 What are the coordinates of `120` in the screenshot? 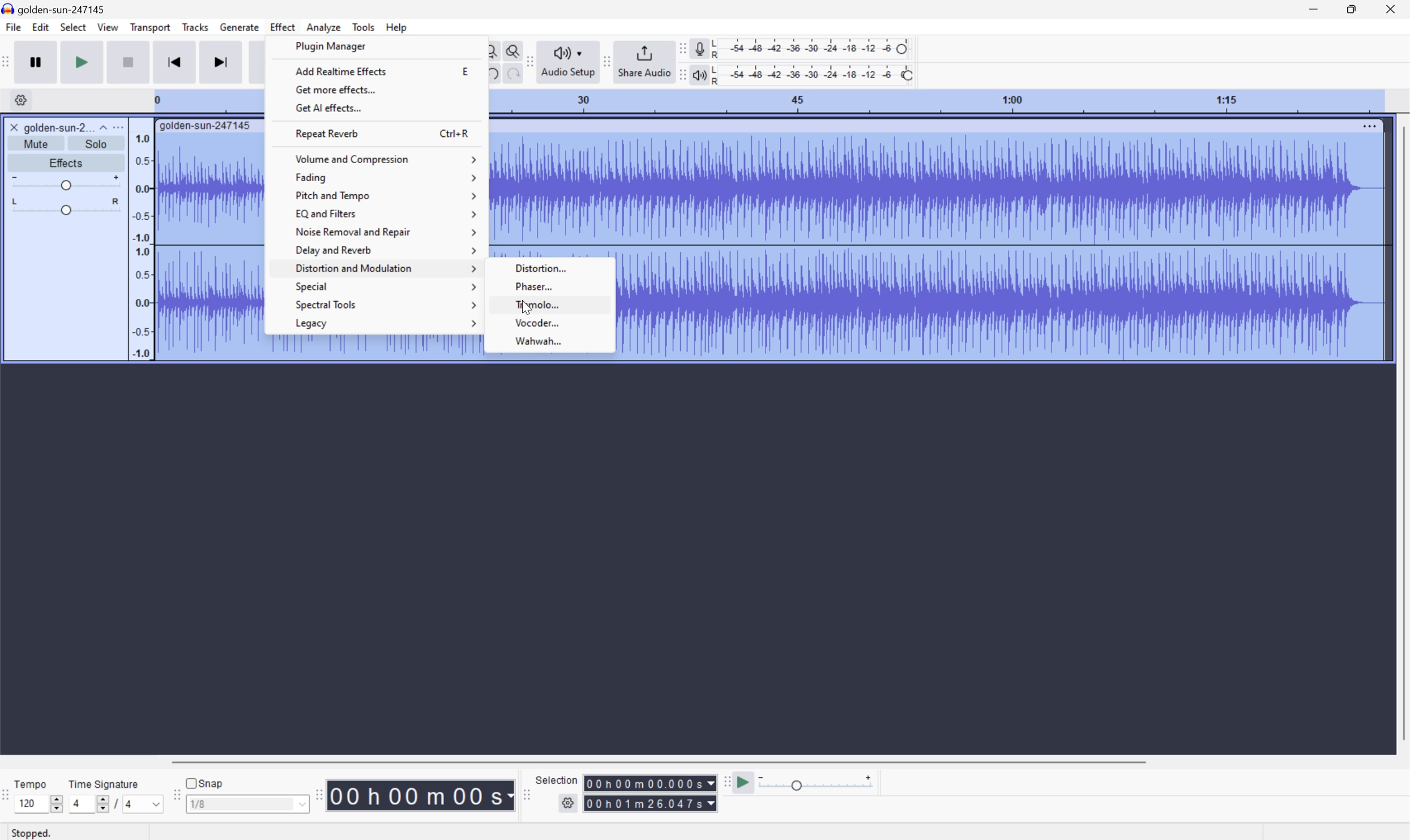 It's located at (33, 804).